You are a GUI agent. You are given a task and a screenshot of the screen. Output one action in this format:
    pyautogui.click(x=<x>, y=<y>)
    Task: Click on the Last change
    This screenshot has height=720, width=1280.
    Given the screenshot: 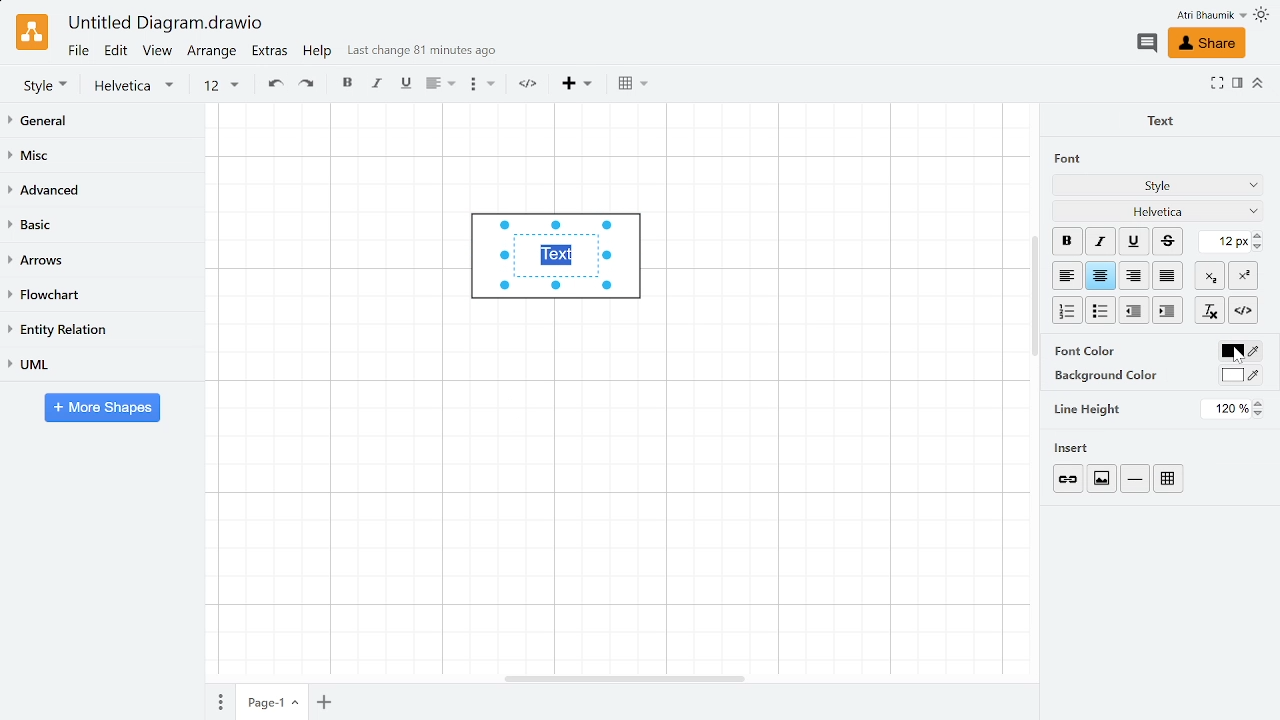 What is the action you would take?
    pyautogui.click(x=422, y=55)
    